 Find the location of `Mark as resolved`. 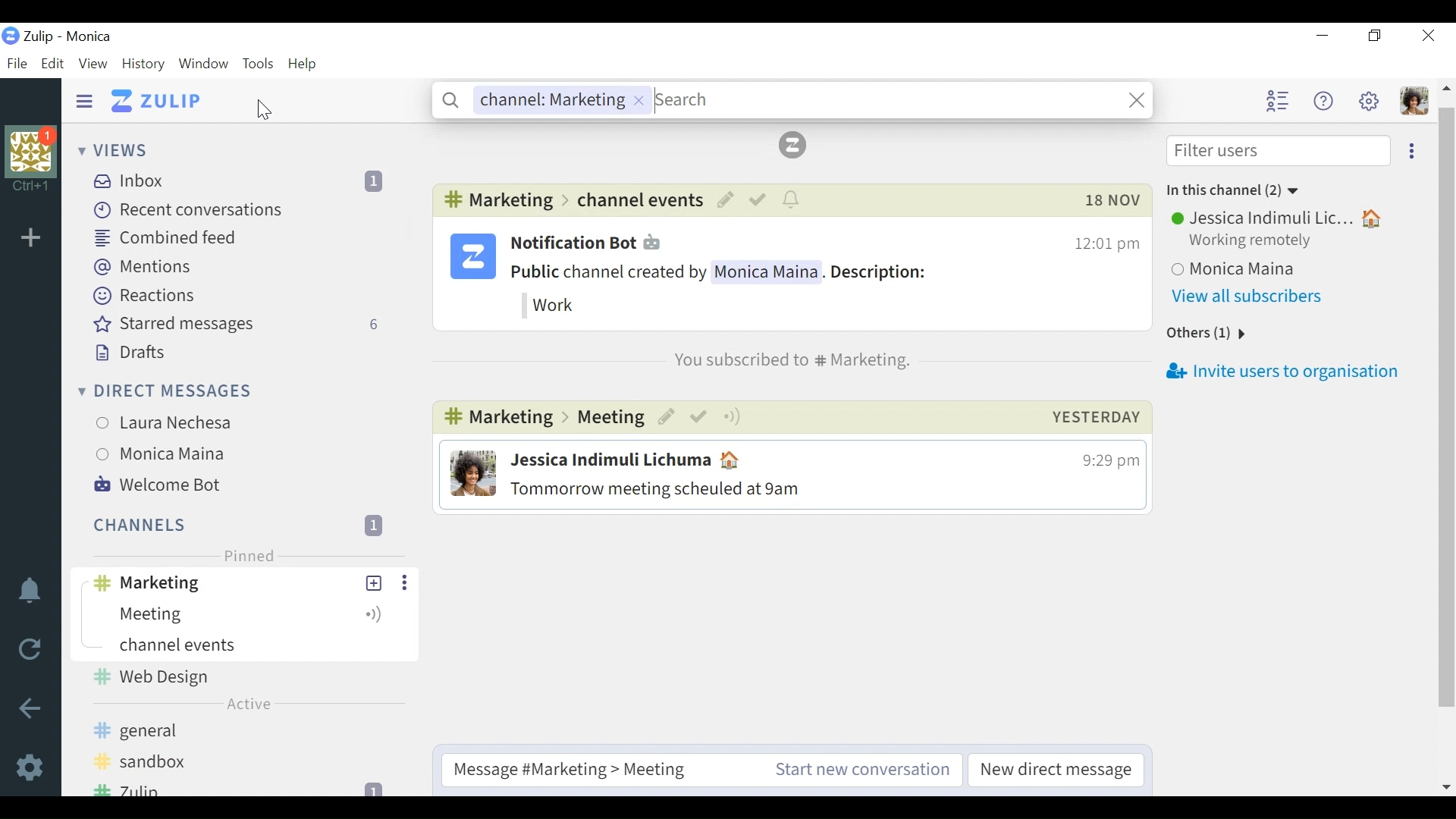

Mark as resolved is located at coordinates (757, 201).